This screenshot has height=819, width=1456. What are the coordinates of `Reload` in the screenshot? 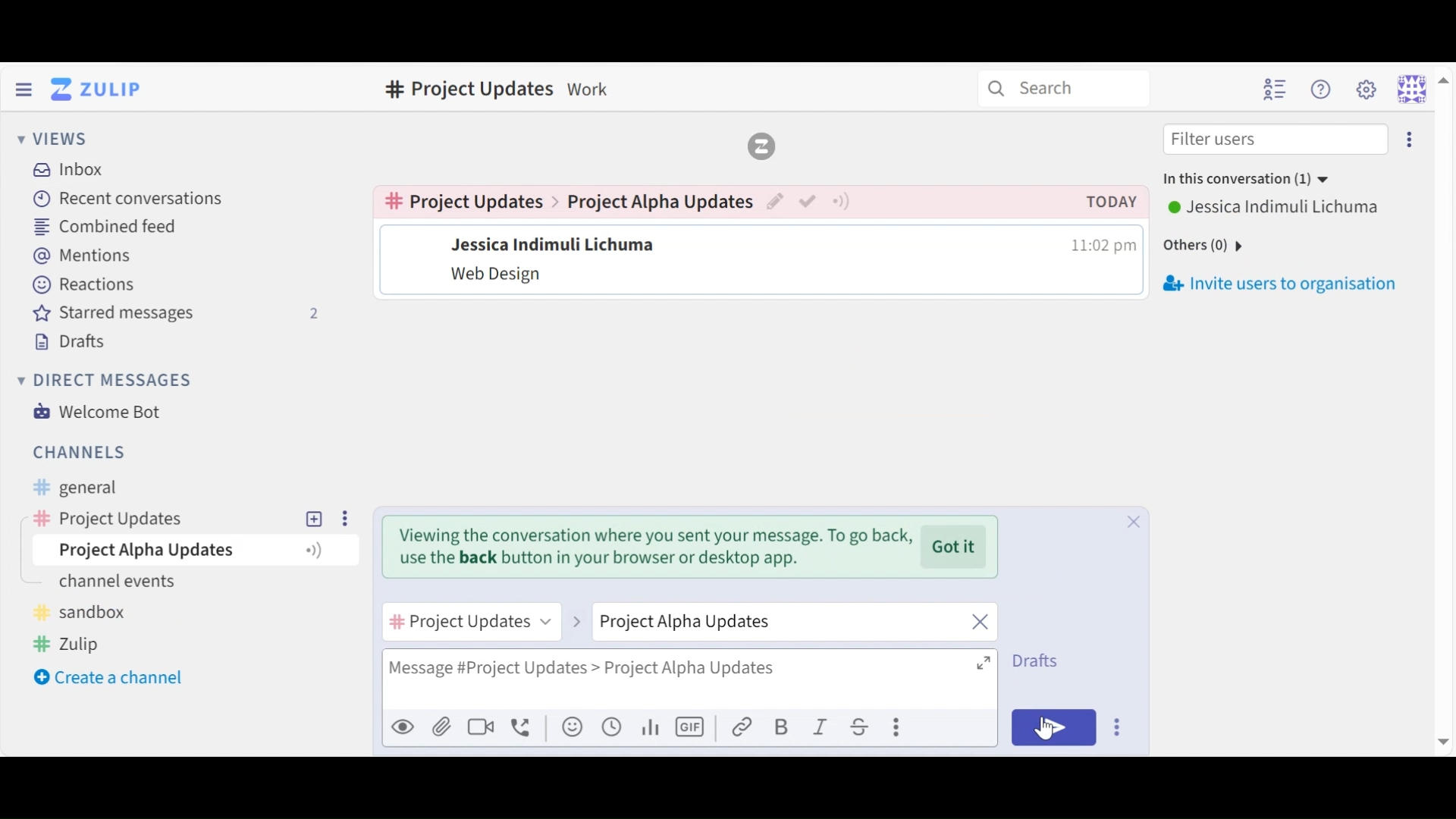 It's located at (763, 144).